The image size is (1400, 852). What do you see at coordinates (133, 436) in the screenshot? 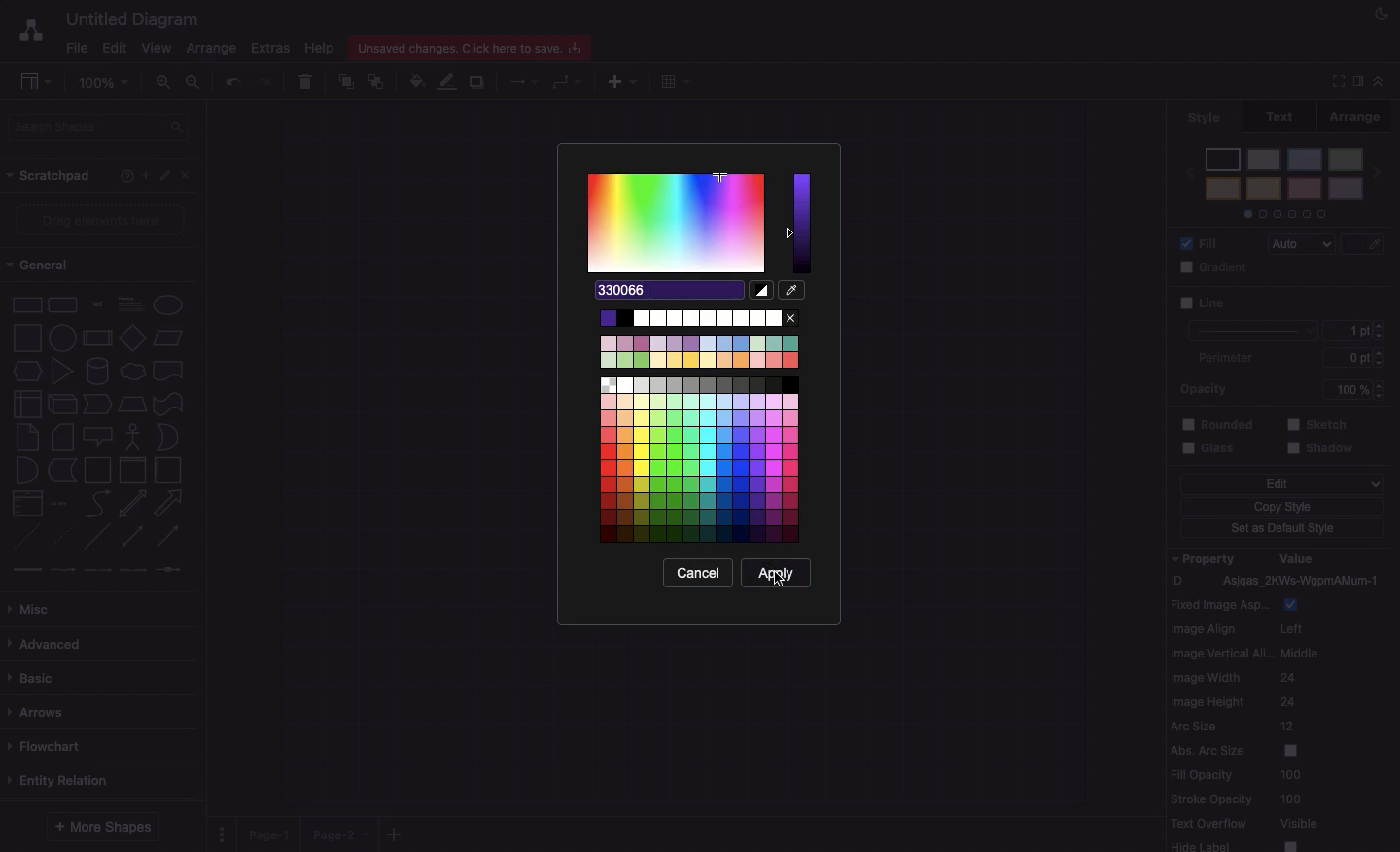
I see `actor` at bounding box center [133, 436].